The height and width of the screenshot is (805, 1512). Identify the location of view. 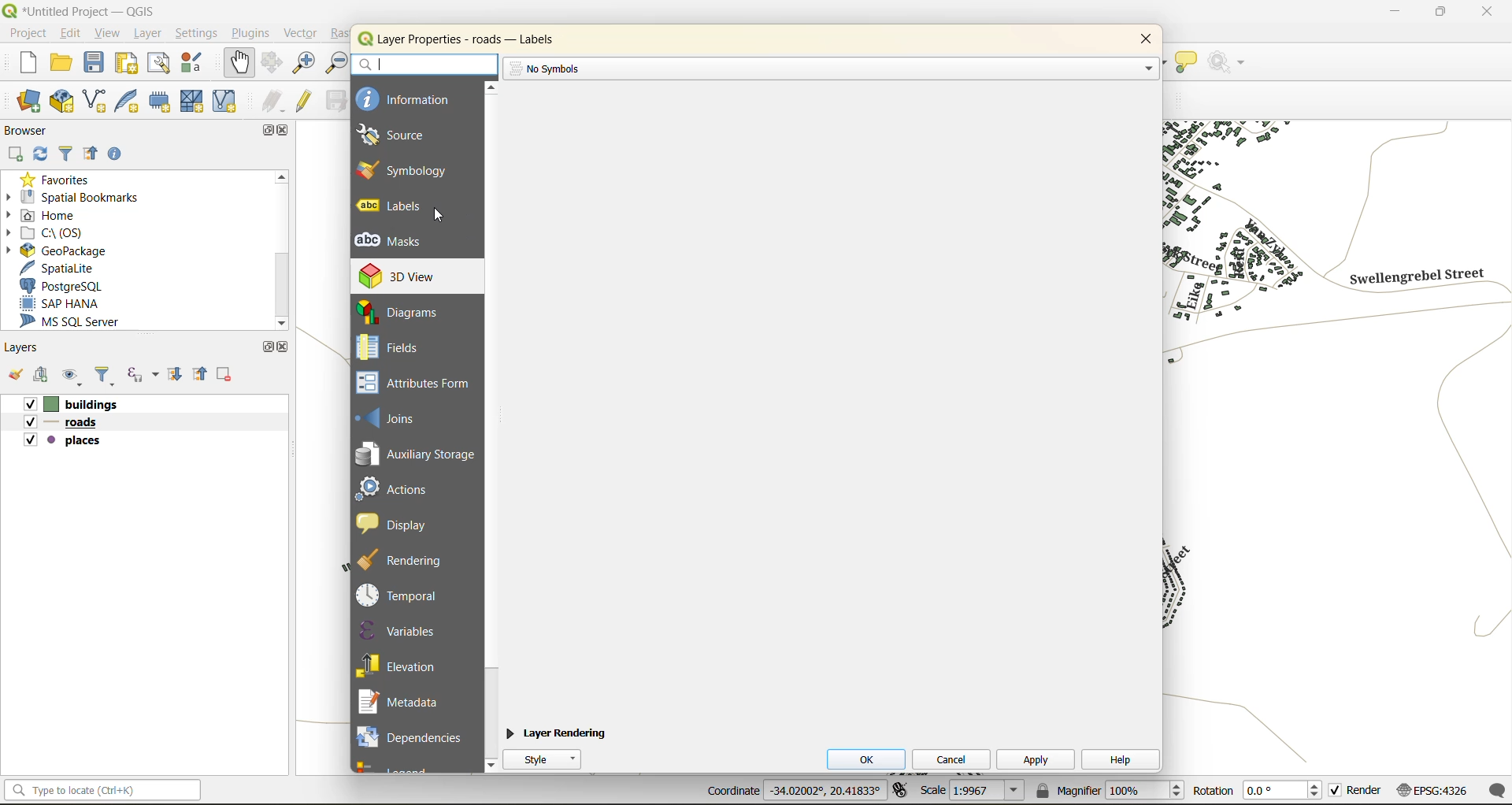
(108, 34).